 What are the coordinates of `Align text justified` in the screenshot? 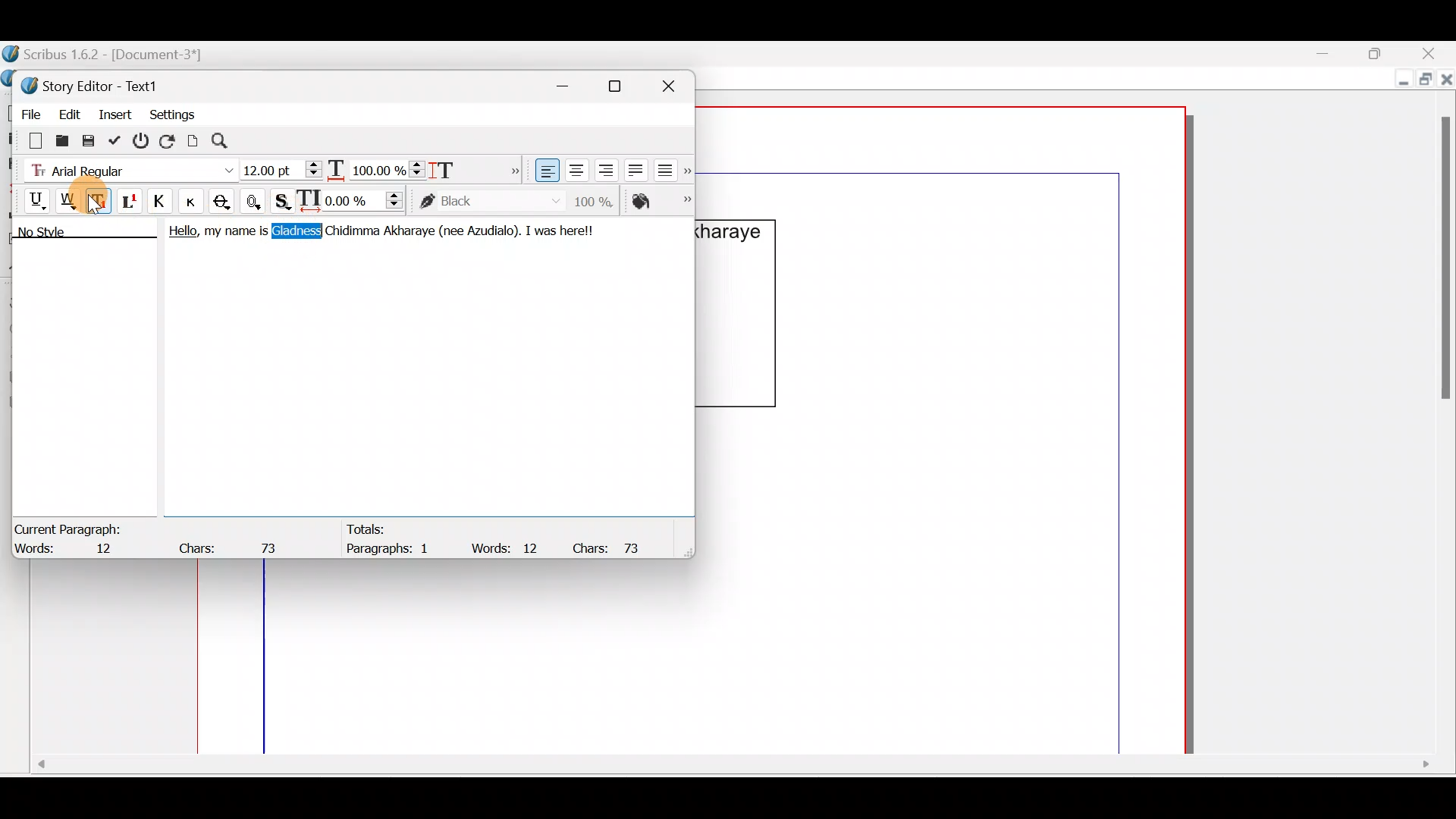 It's located at (634, 168).